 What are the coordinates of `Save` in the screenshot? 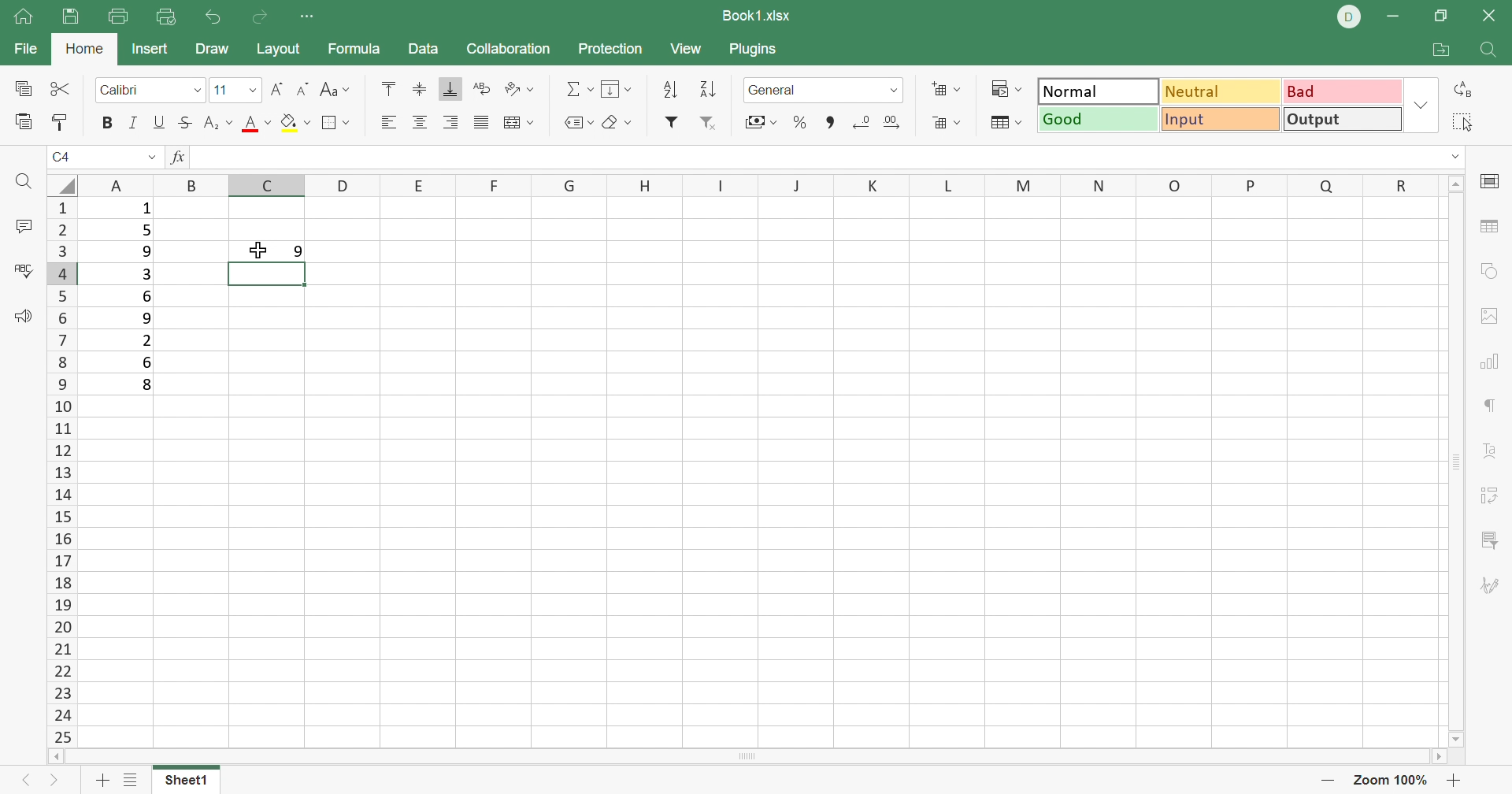 It's located at (75, 17).